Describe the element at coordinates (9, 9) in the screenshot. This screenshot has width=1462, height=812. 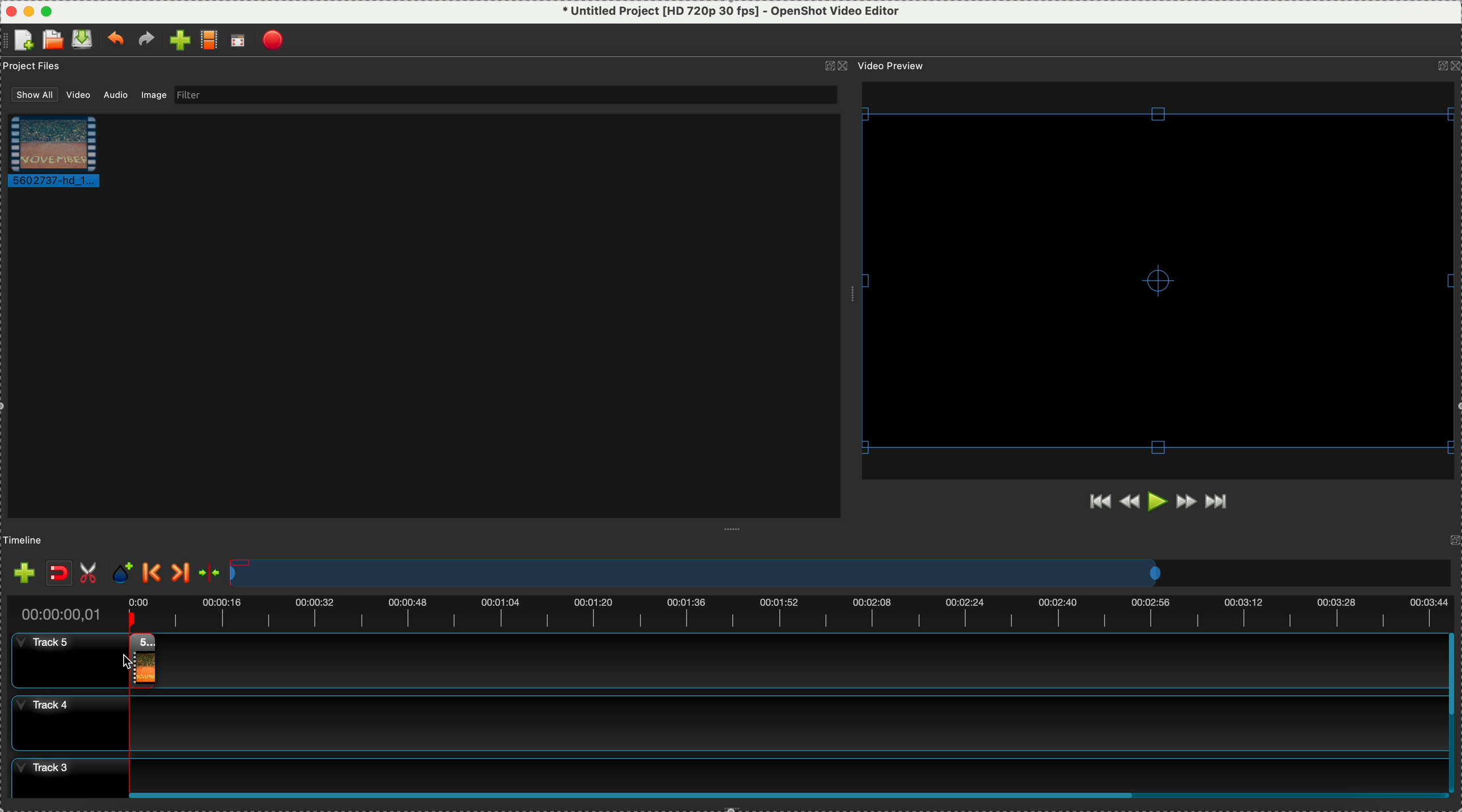
I see `close` at that location.